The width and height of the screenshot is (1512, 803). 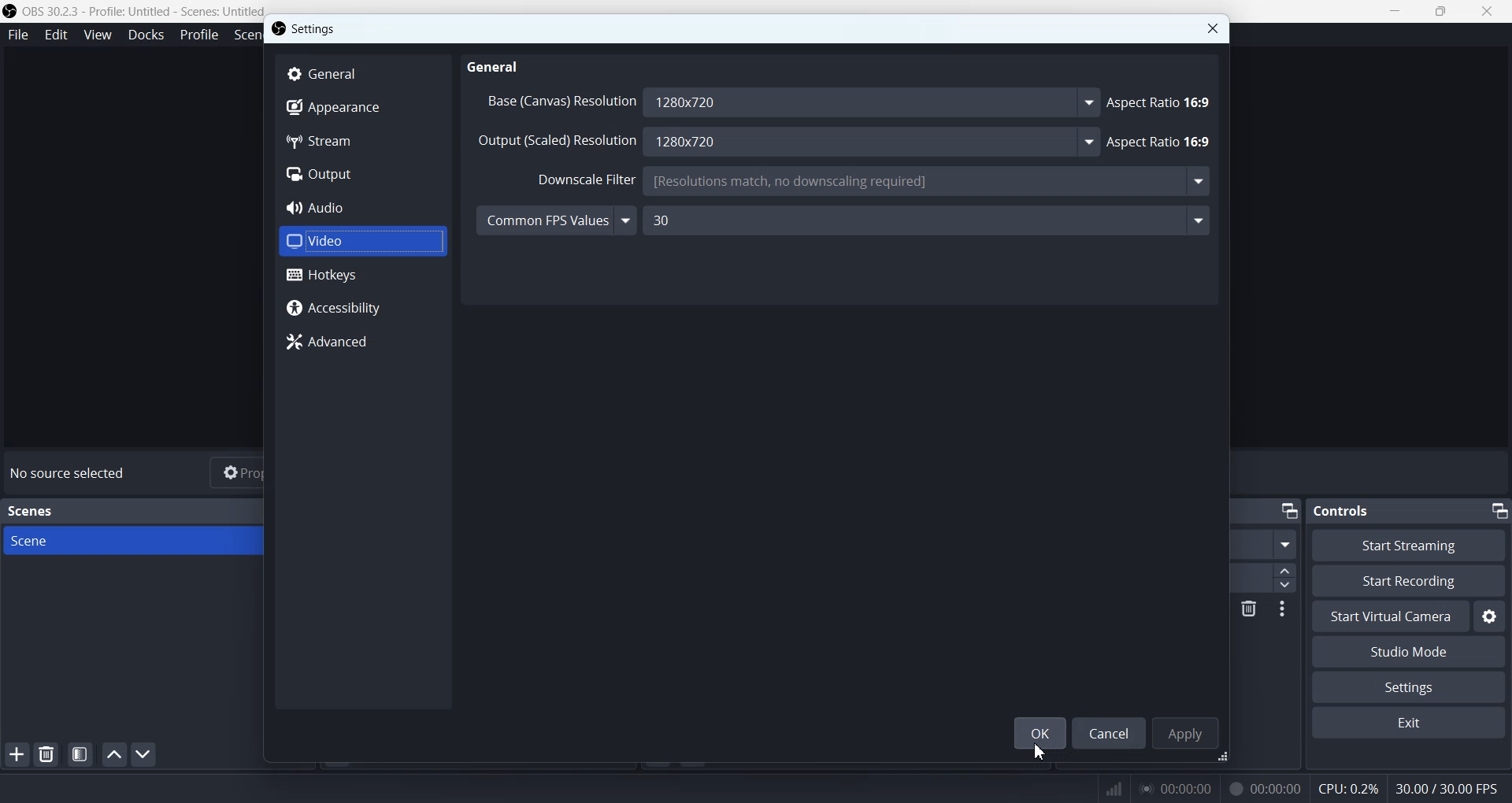 What do you see at coordinates (1409, 687) in the screenshot?
I see `Settings` at bounding box center [1409, 687].